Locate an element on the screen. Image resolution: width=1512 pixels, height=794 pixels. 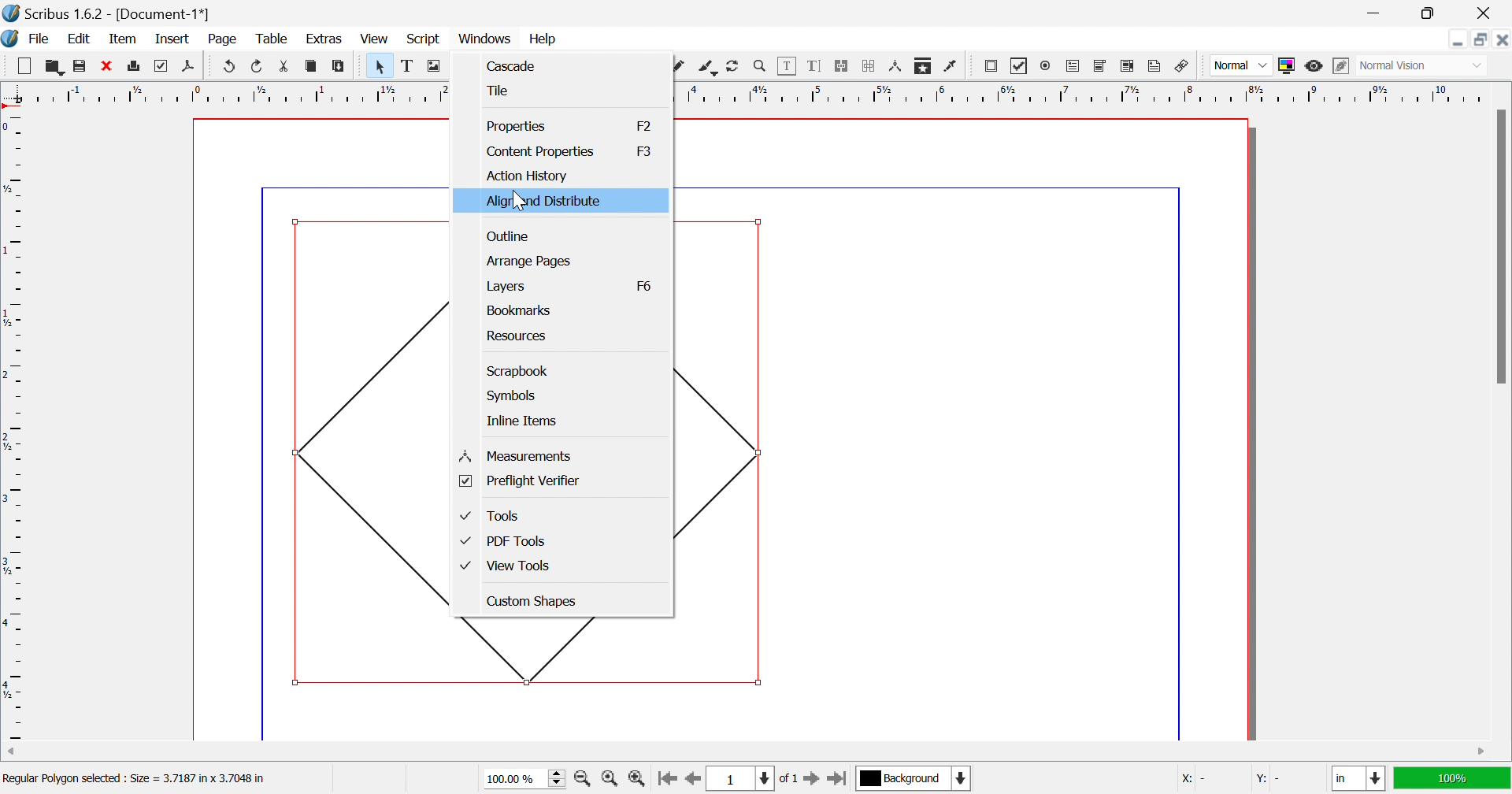
View is located at coordinates (374, 39).